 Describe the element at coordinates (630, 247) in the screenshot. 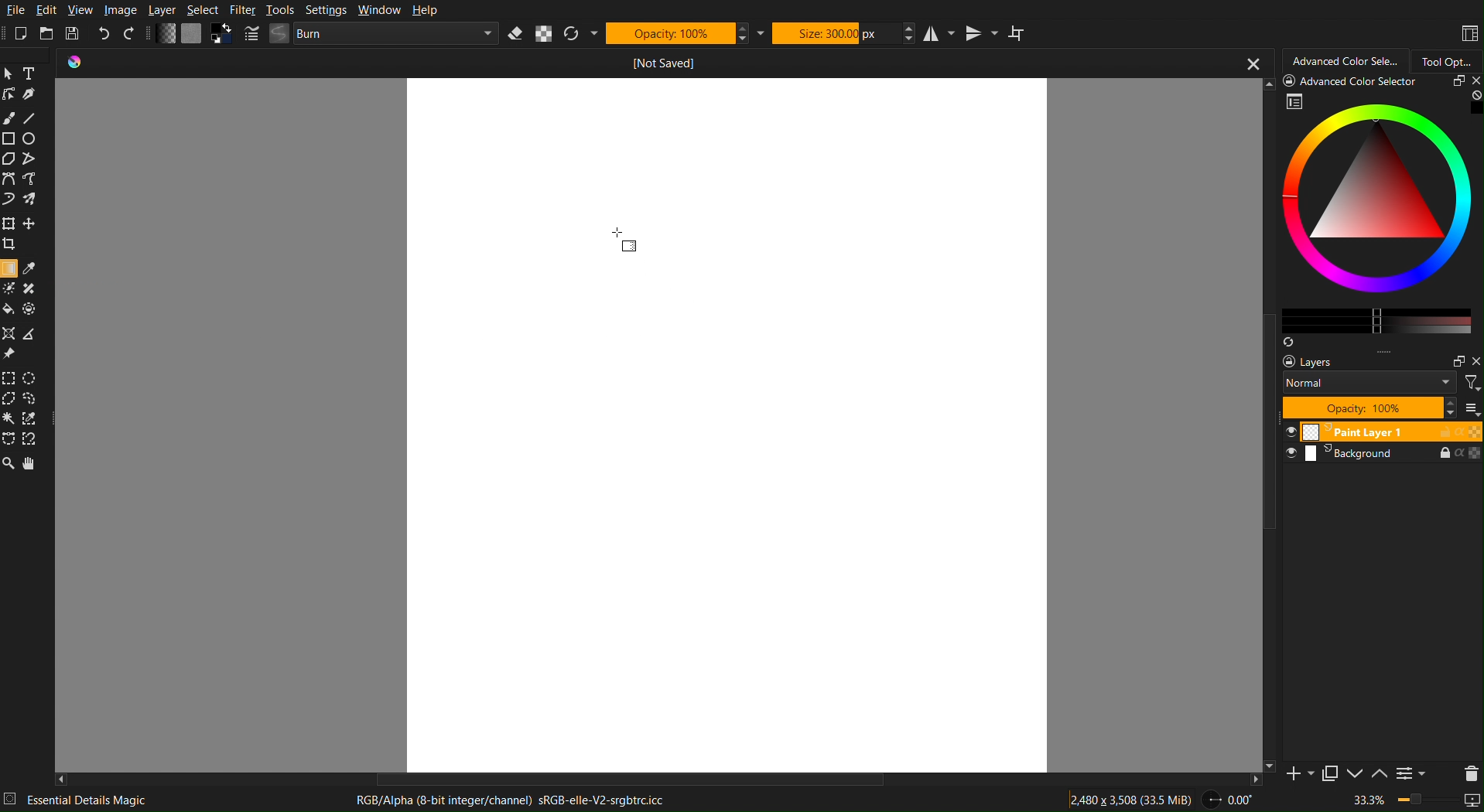

I see `Gradient` at that location.